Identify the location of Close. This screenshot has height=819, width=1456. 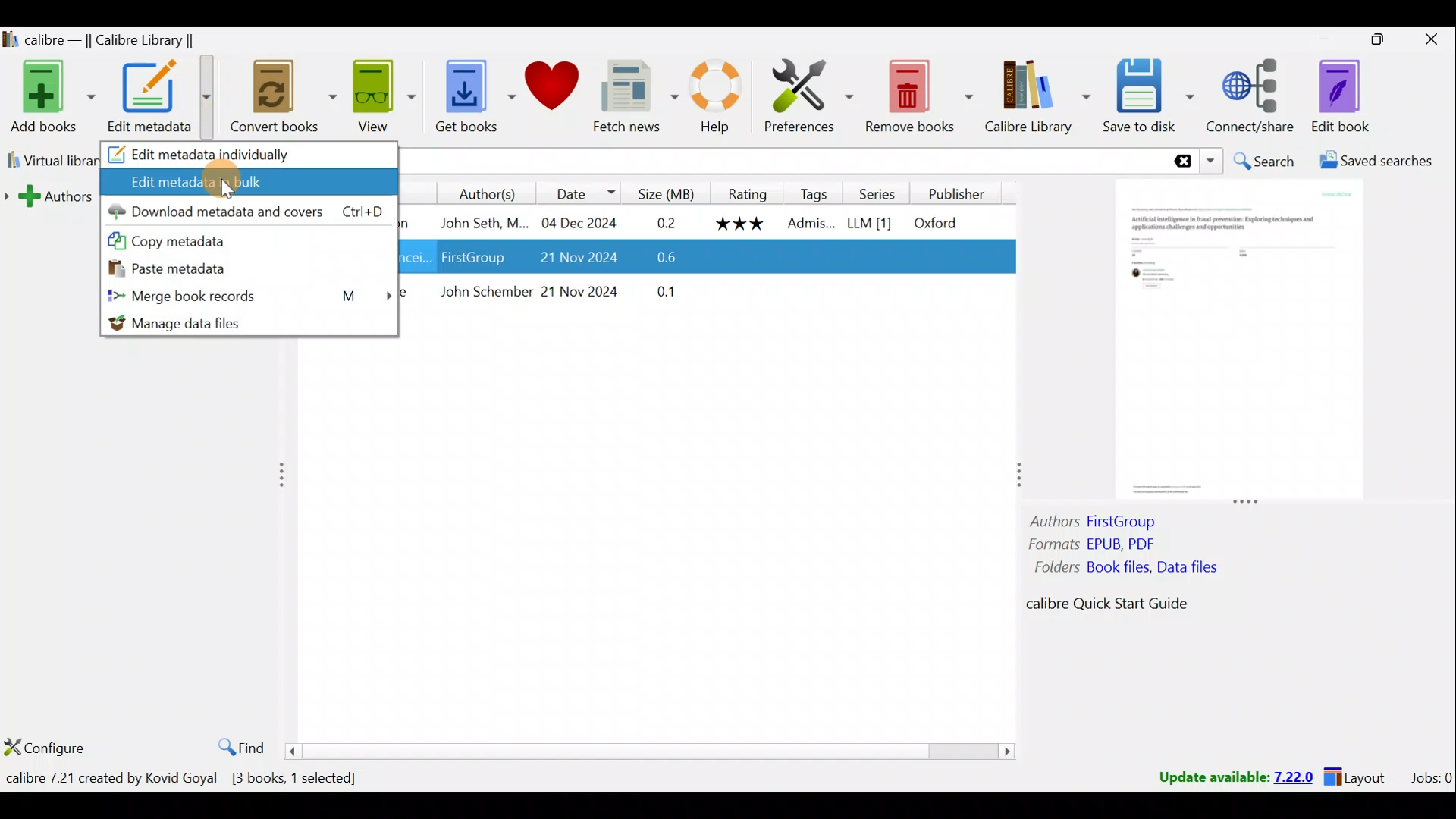
(1430, 40).